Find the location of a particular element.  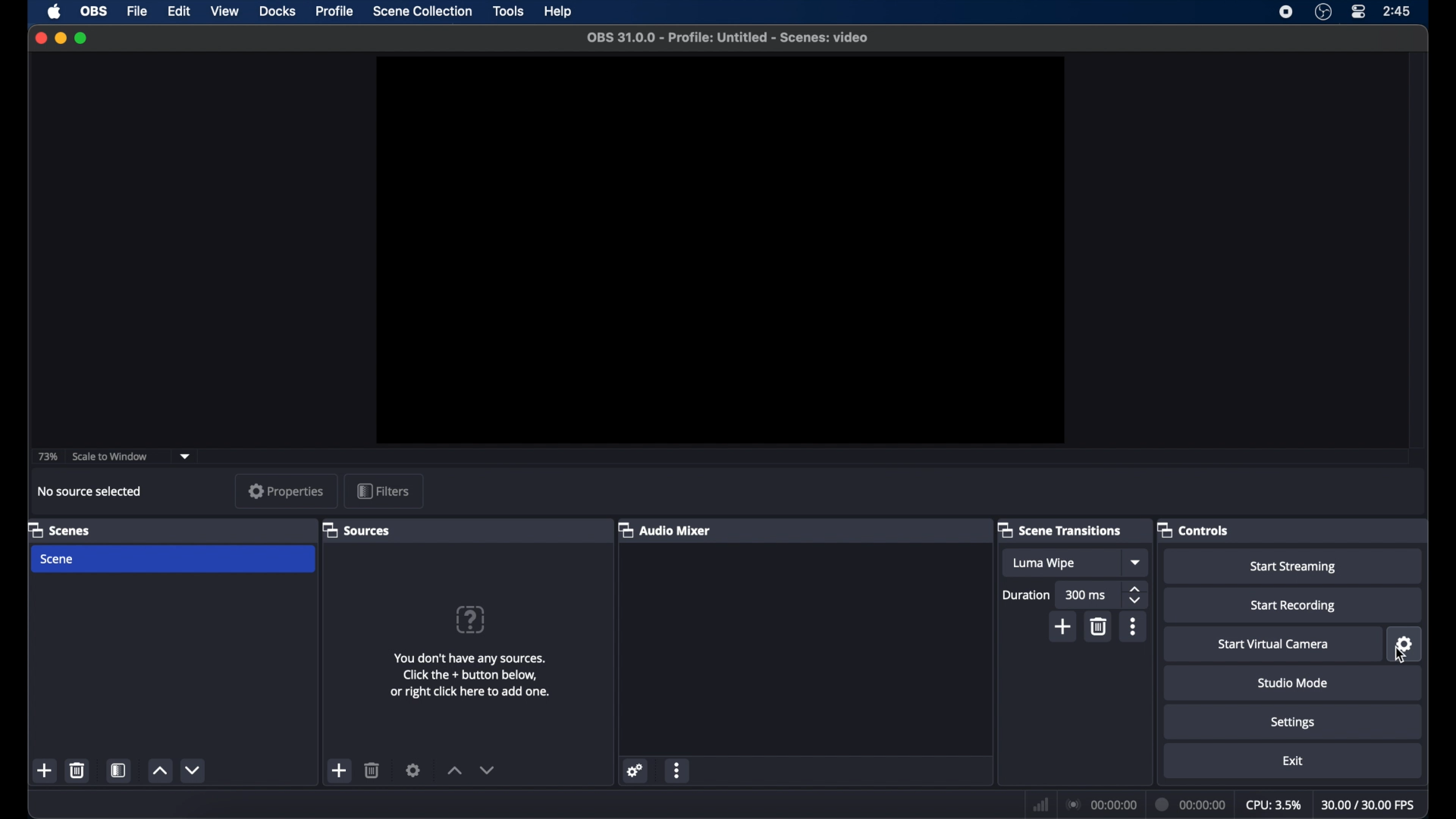

tools is located at coordinates (510, 11).